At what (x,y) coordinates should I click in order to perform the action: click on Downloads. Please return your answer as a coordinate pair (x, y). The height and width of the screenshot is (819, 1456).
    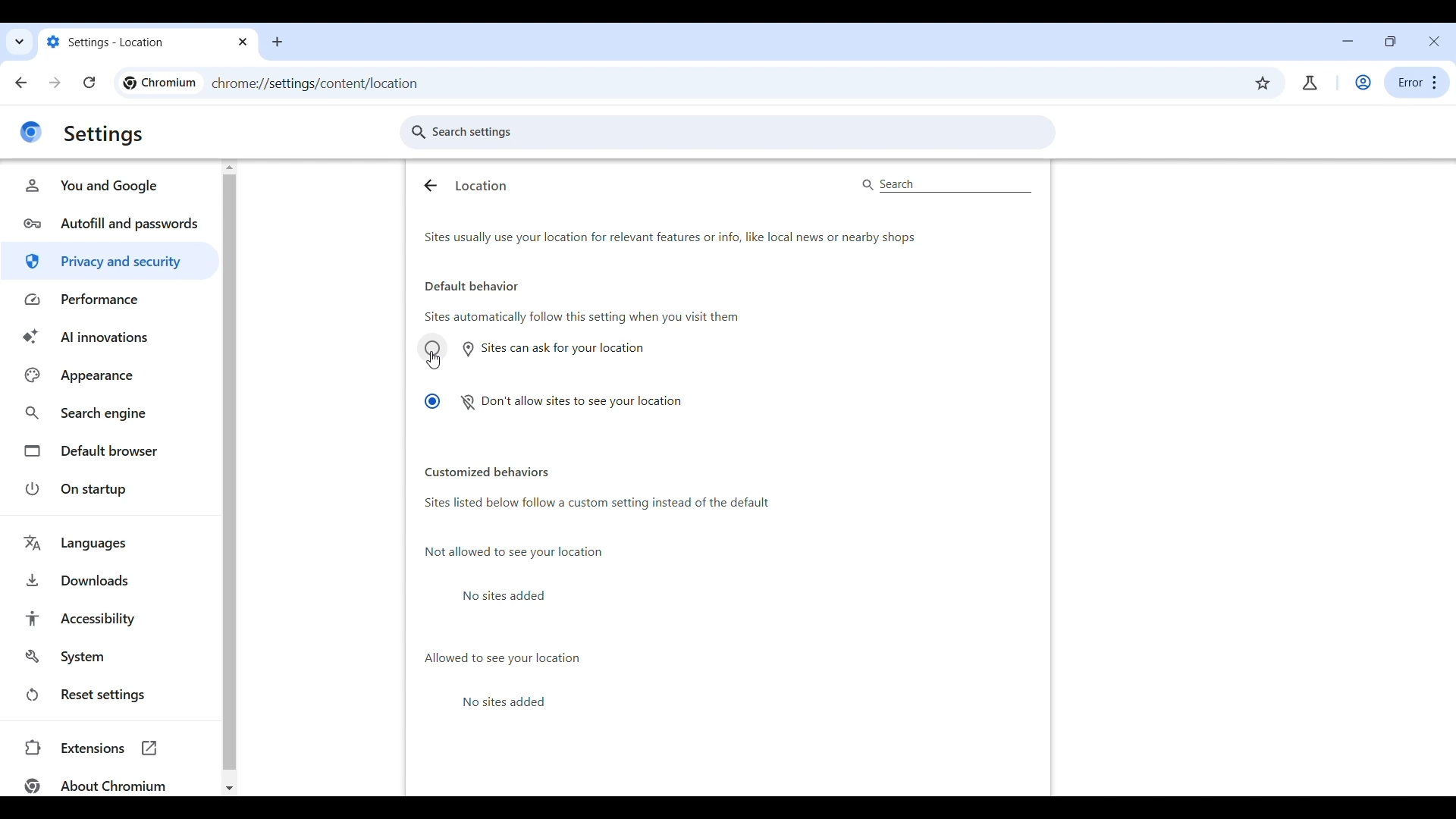
    Looking at the image, I should click on (108, 579).